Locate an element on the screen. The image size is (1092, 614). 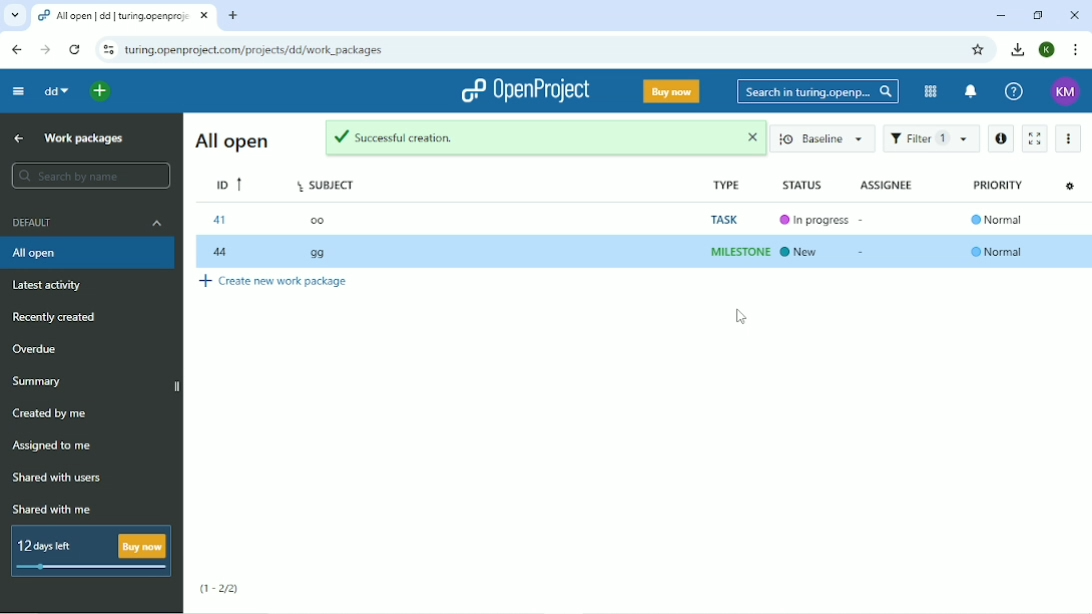
Milestone is located at coordinates (737, 252).